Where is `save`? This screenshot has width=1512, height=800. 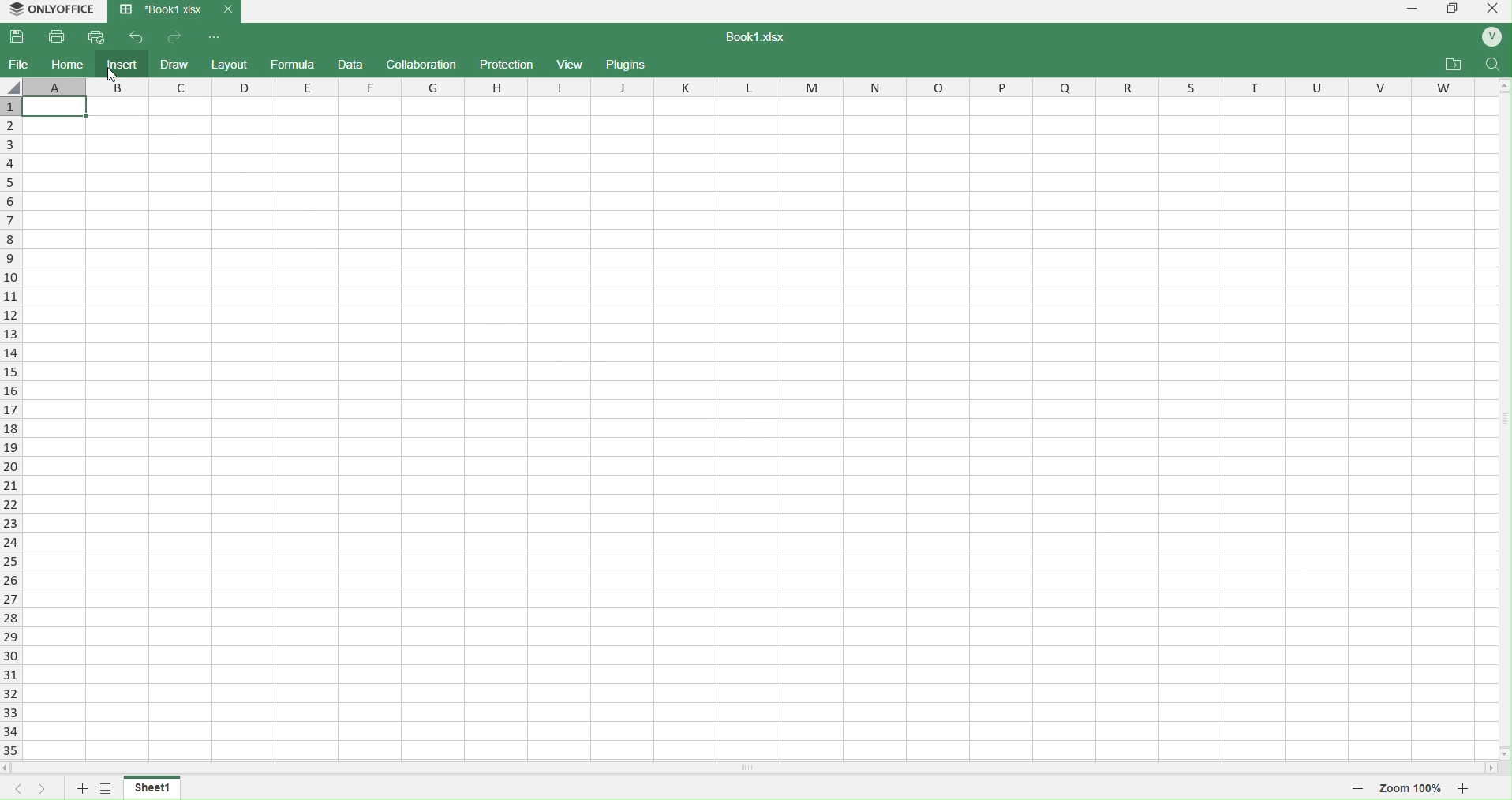 save is located at coordinates (21, 37).